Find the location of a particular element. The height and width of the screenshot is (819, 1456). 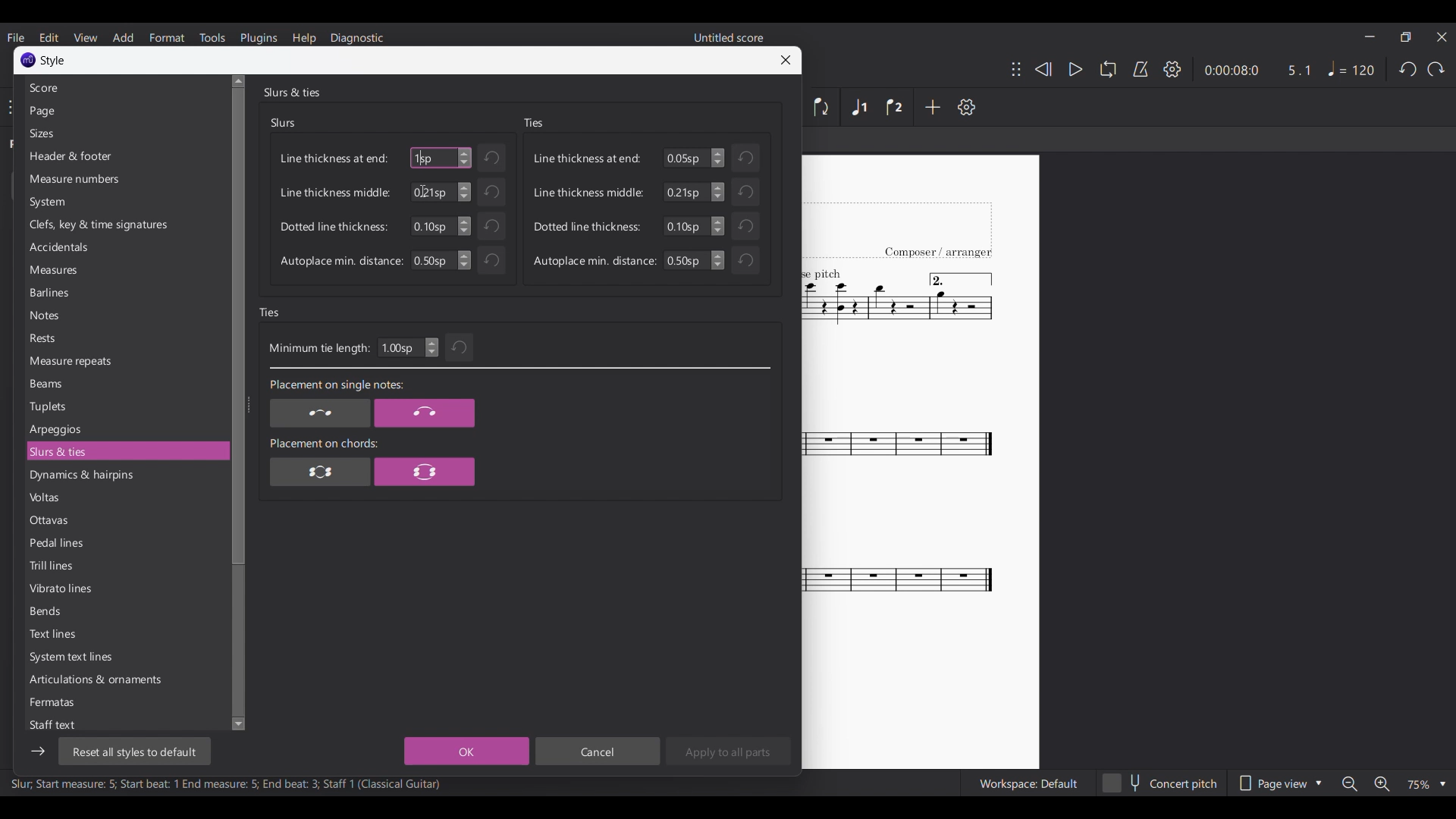

Undo is located at coordinates (491, 260).